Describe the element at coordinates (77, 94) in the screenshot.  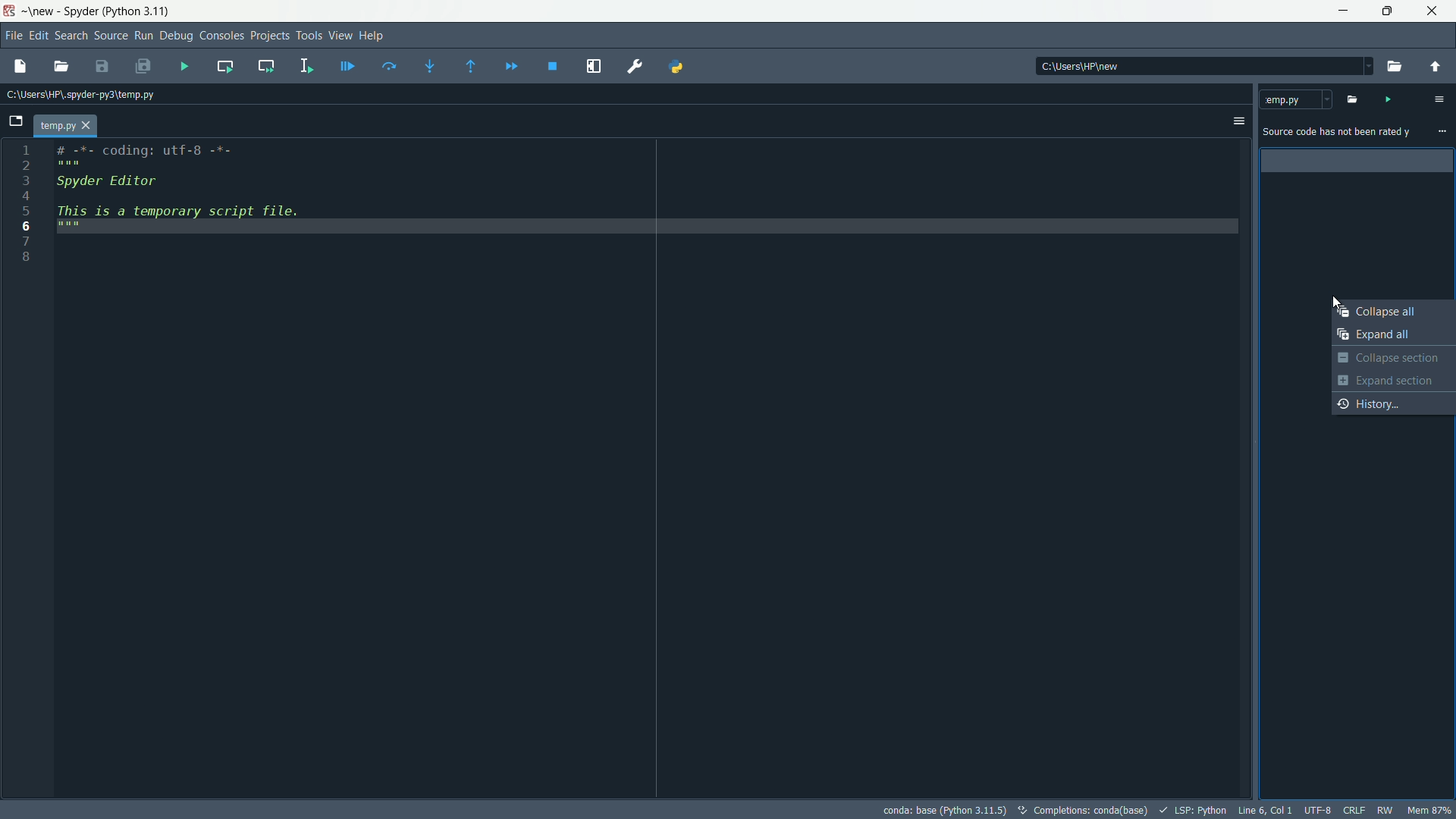
I see `file path: c:\users\hp\.spyder-py3\temp.py` at that location.